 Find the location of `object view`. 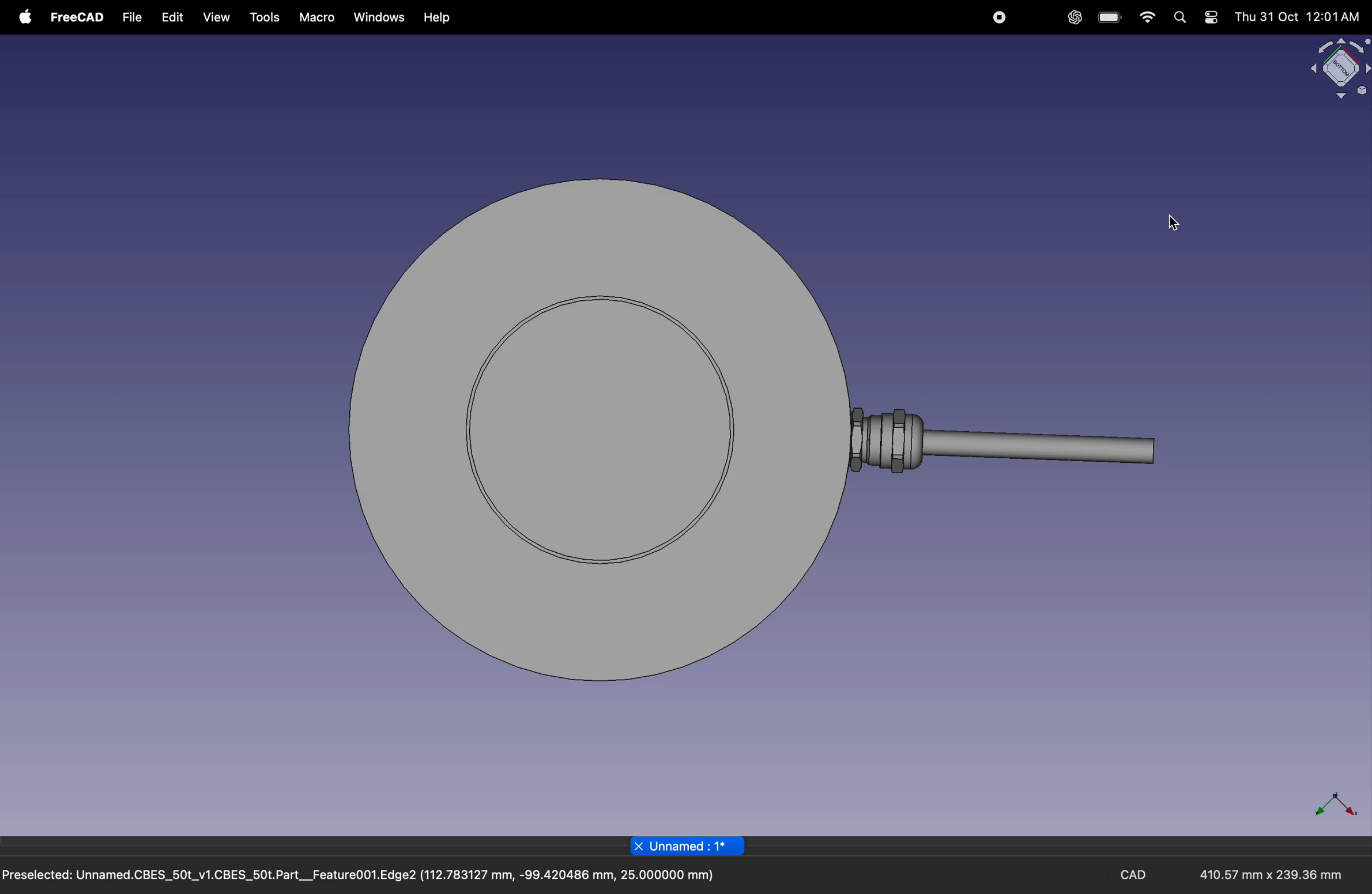

object view is located at coordinates (1338, 67).